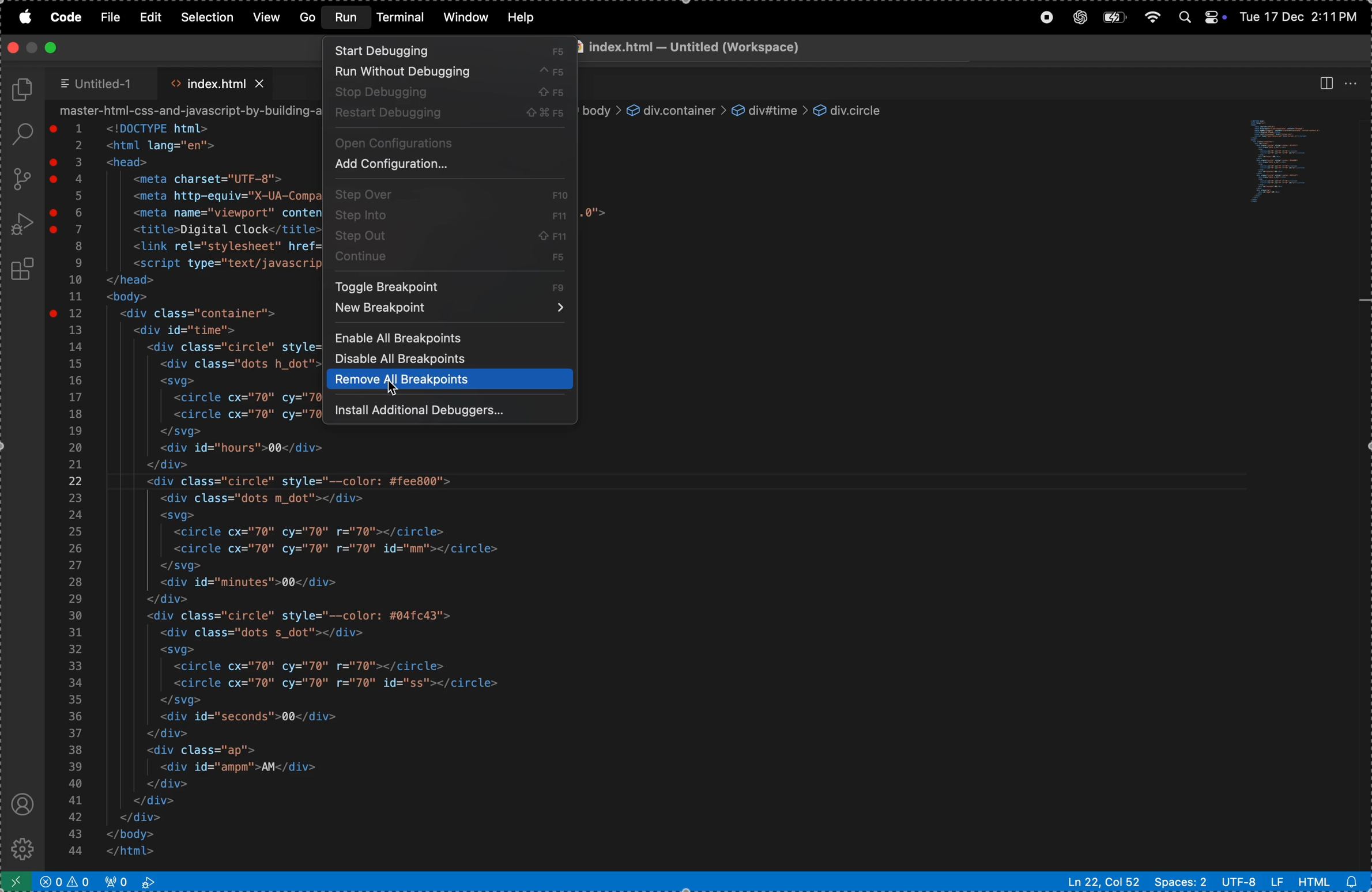  I want to click on edit, so click(151, 17).